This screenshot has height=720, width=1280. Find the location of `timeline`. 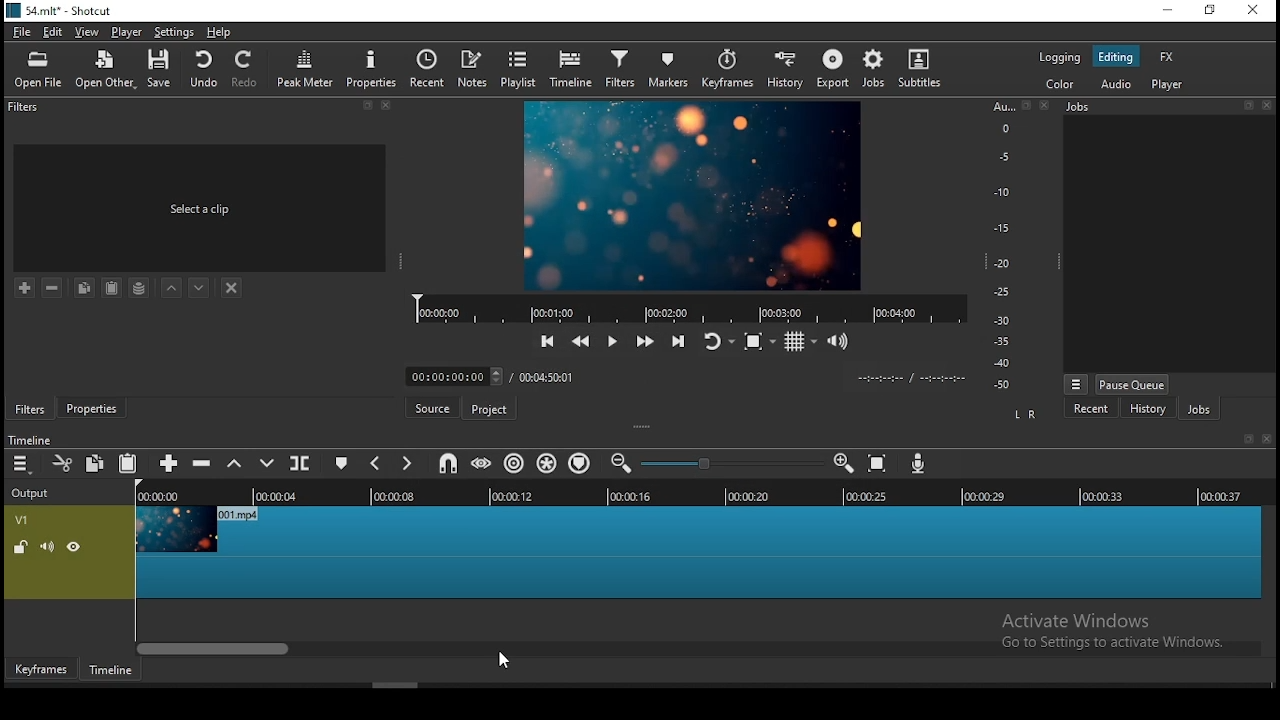

timeline is located at coordinates (573, 69).